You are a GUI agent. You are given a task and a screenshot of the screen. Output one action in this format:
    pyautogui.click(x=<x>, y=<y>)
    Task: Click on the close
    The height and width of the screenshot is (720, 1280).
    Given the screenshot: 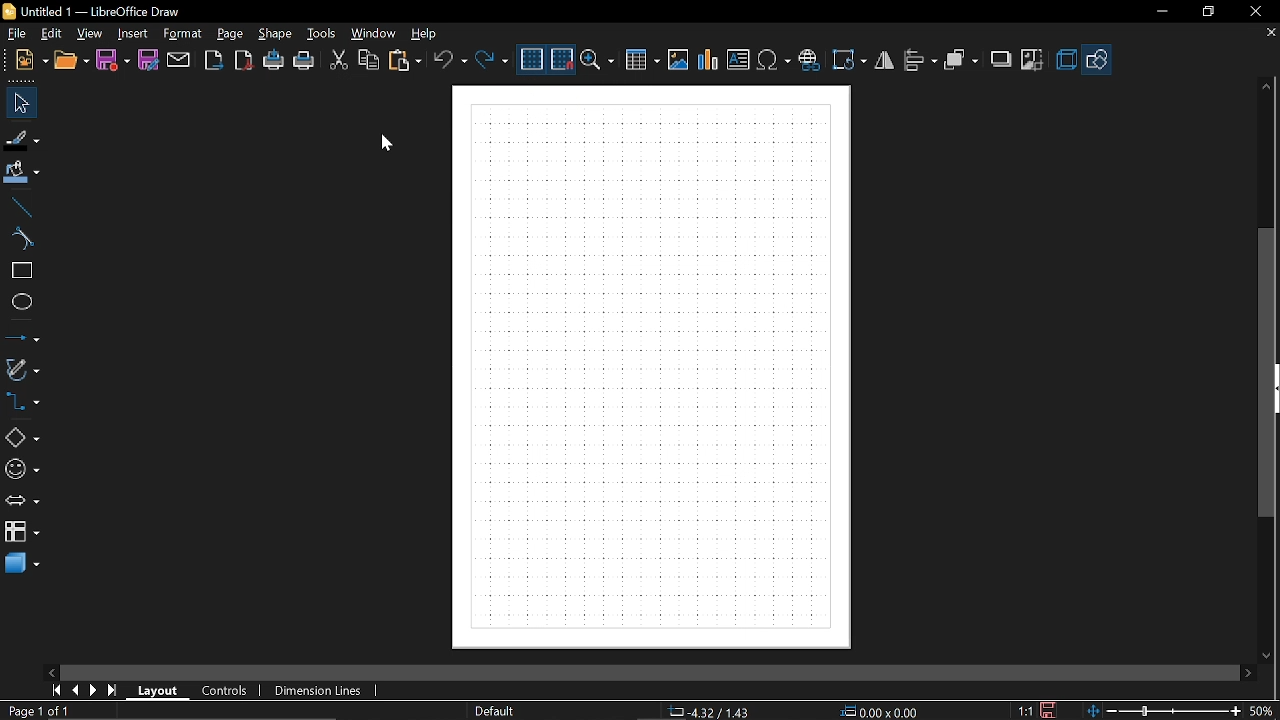 What is the action you would take?
    pyautogui.click(x=1253, y=12)
    